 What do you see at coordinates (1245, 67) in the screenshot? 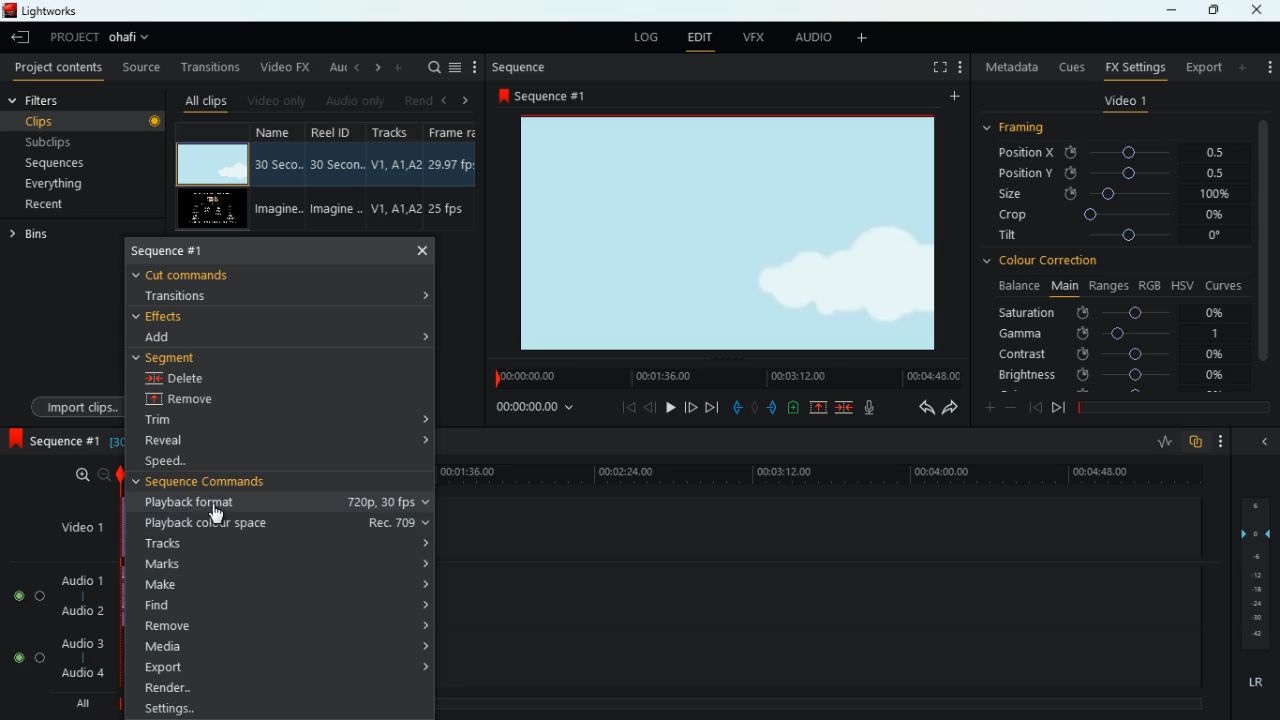
I see `add` at bounding box center [1245, 67].